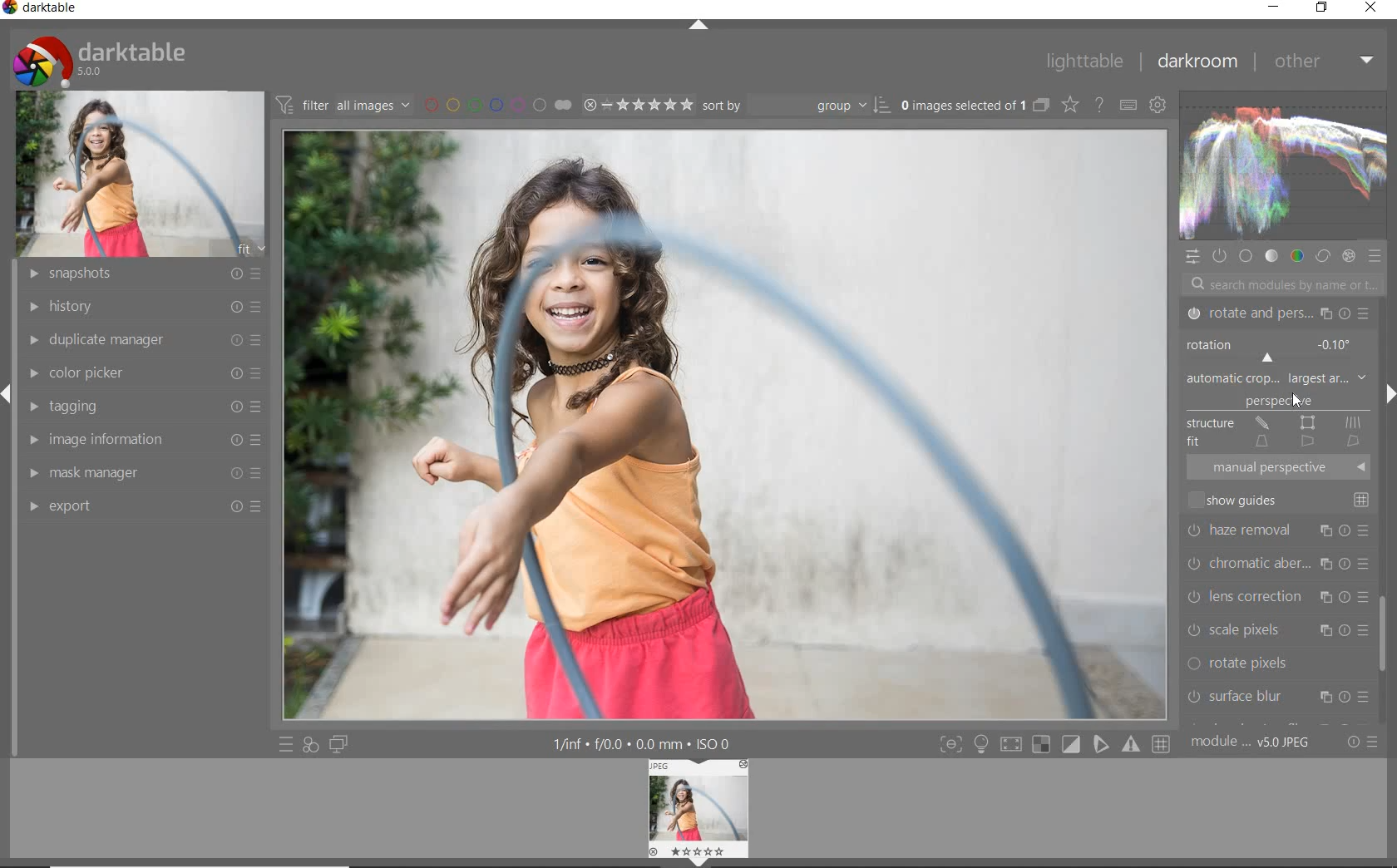 The height and width of the screenshot is (868, 1397). Describe the element at coordinates (287, 743) in the screenshot. I see `quick access to preset` at that location.